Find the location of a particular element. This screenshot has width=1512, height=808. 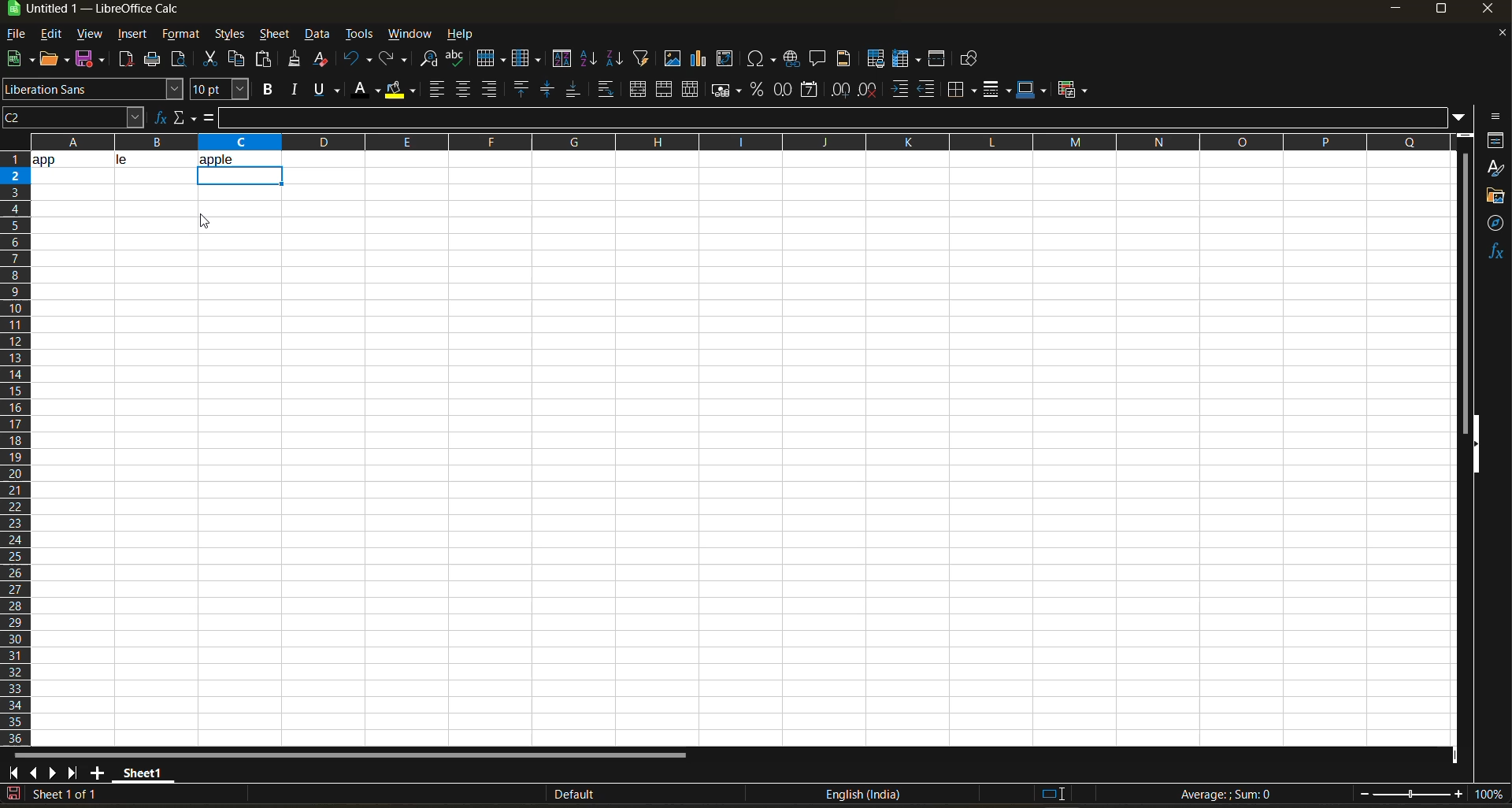

sidebar settings is located at coordinates (1493, 117).